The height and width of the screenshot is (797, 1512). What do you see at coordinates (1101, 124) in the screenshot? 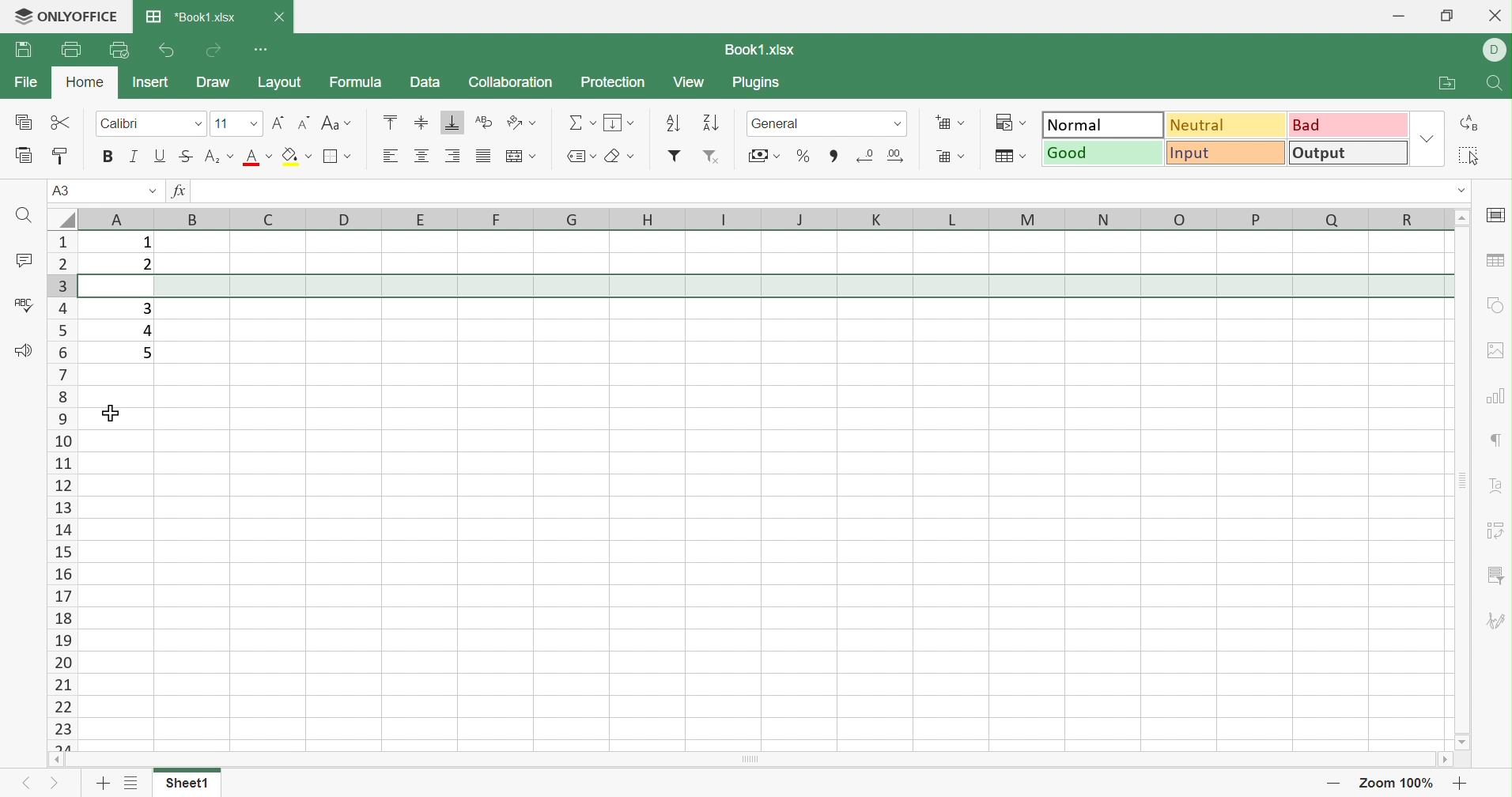
I see `Normal` at bounding box center [1101, 124].